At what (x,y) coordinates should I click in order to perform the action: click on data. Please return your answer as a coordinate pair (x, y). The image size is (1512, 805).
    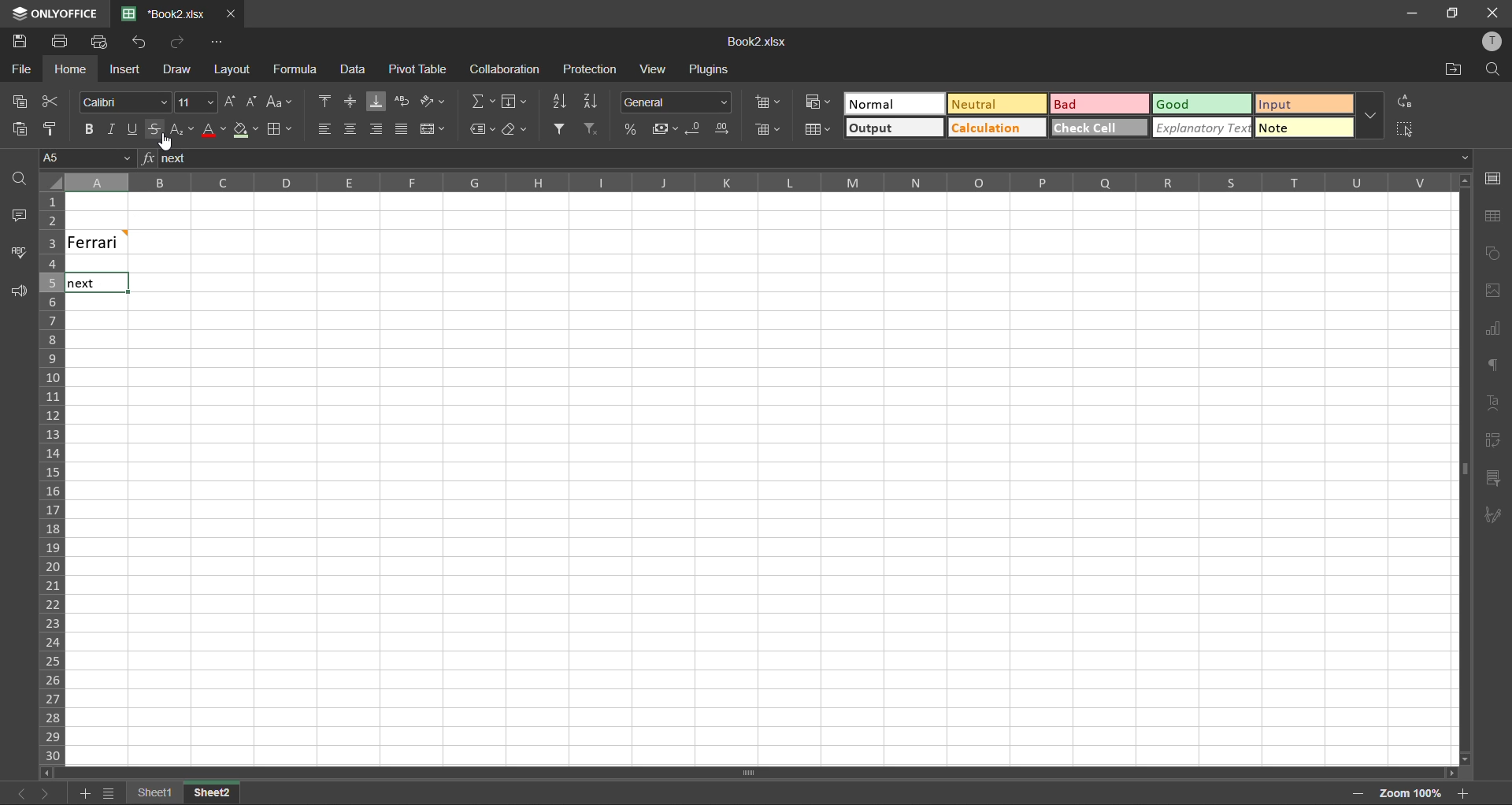
    Looking at the image, I should click on (352, 70).